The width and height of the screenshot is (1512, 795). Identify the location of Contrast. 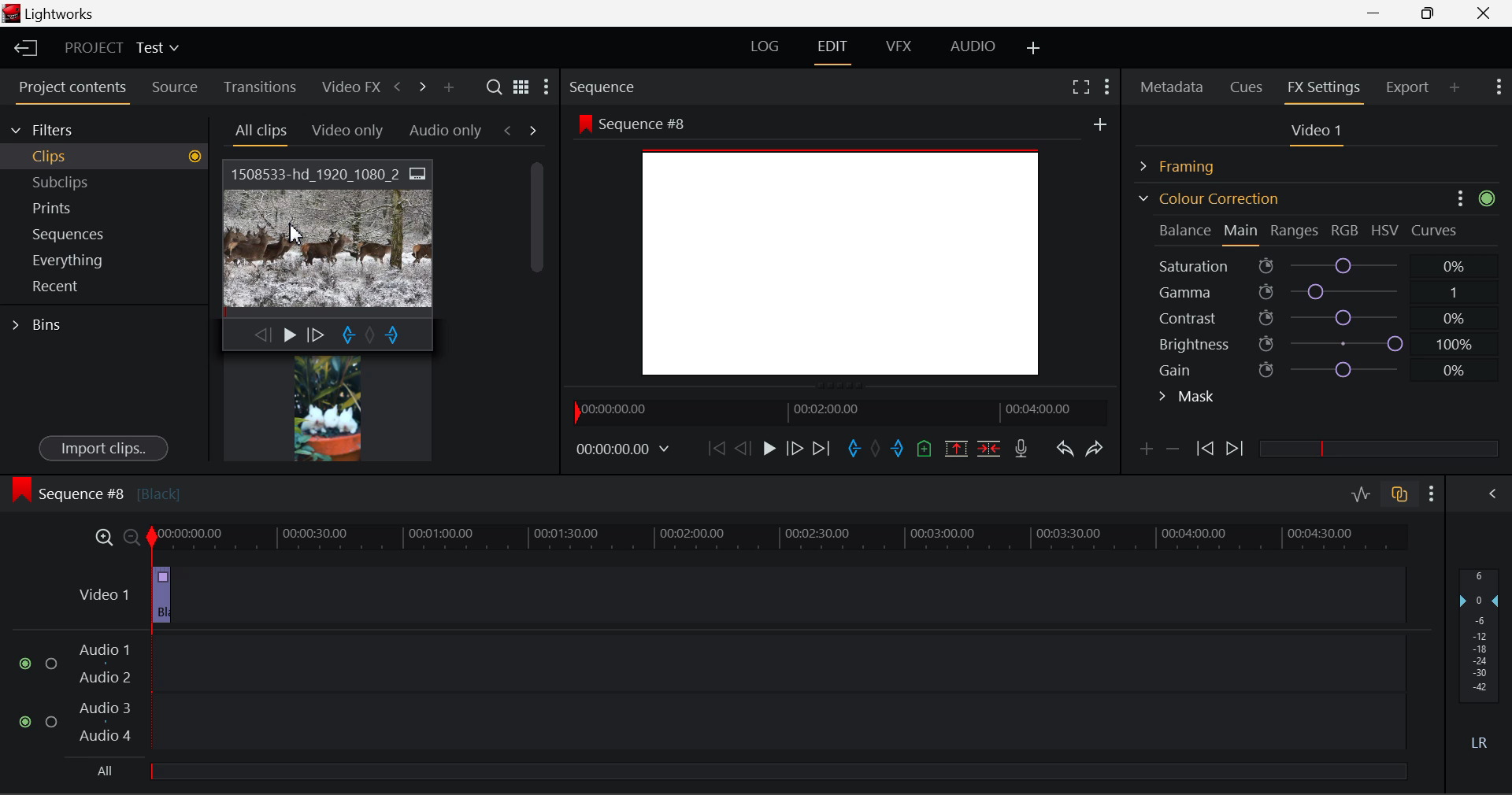
(1318, 317).